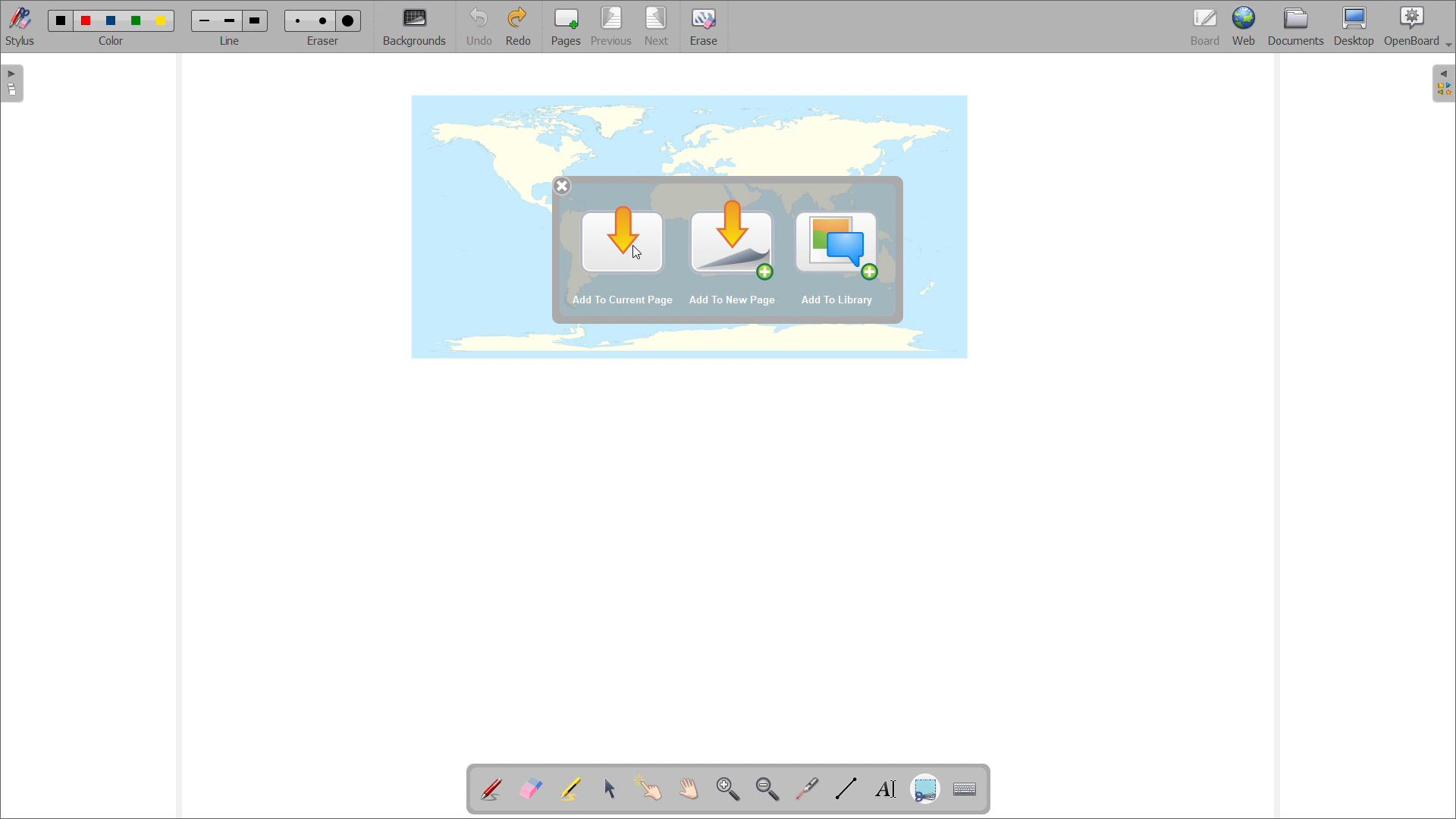 The image size is (1456, 819). Describe the element at coordinates (657, 26) in the screenshot. I see `next page` at that location.